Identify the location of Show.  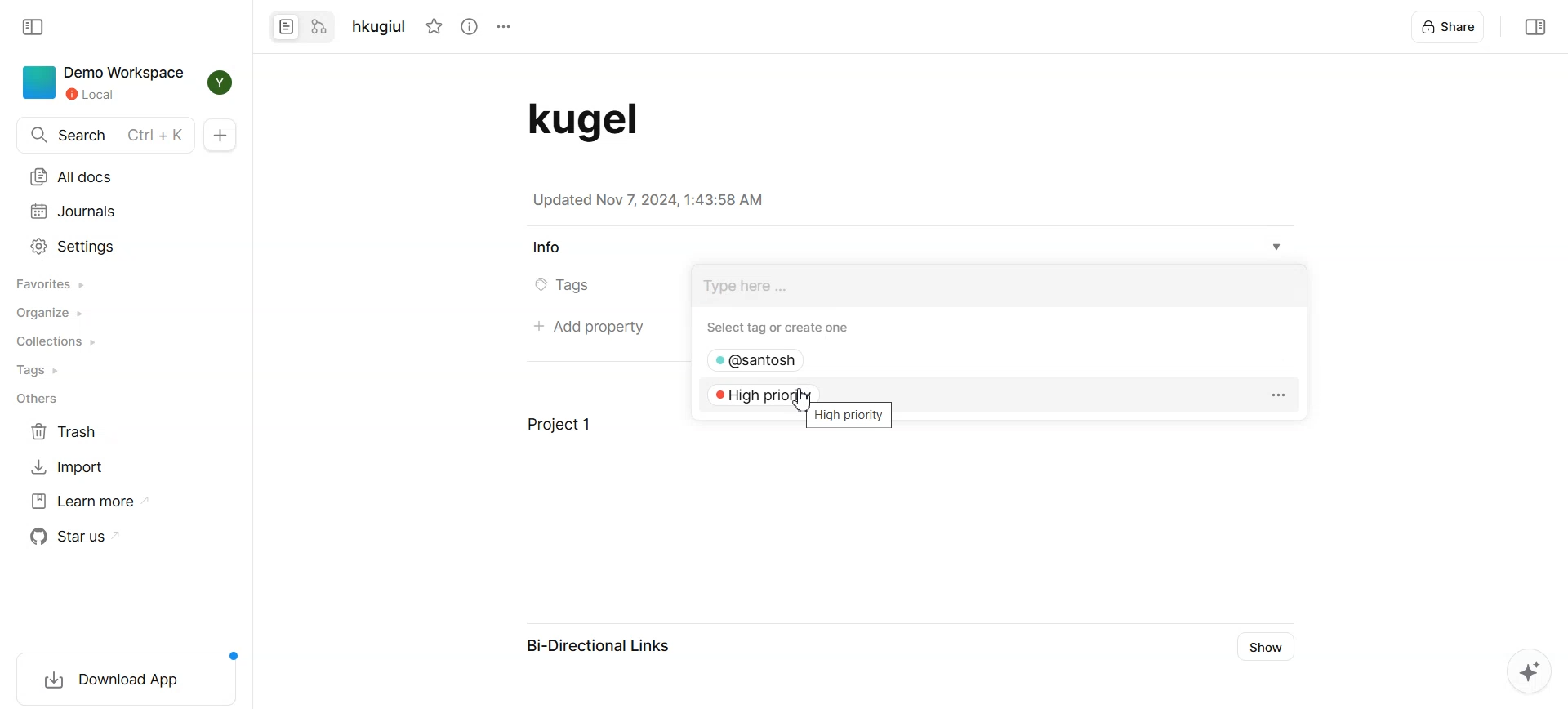
(1269, 646).